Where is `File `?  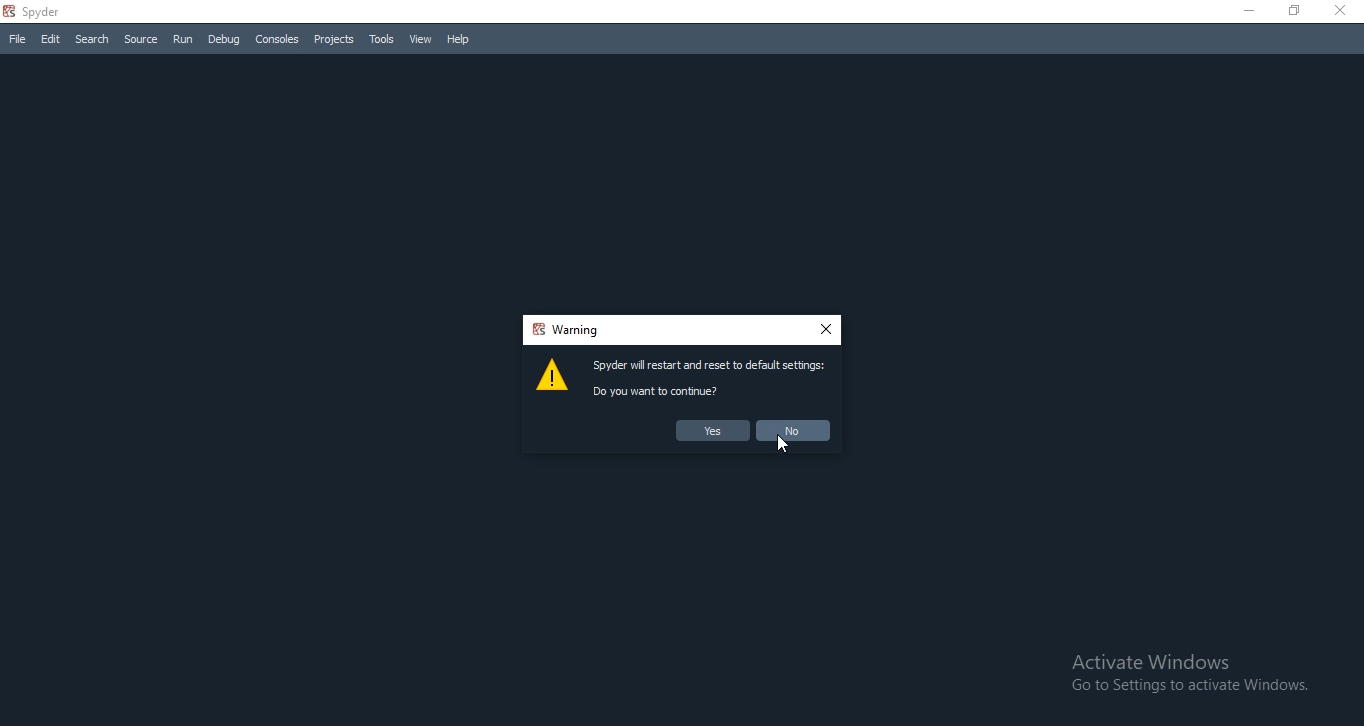 File  is located at coordinates (17, 39).